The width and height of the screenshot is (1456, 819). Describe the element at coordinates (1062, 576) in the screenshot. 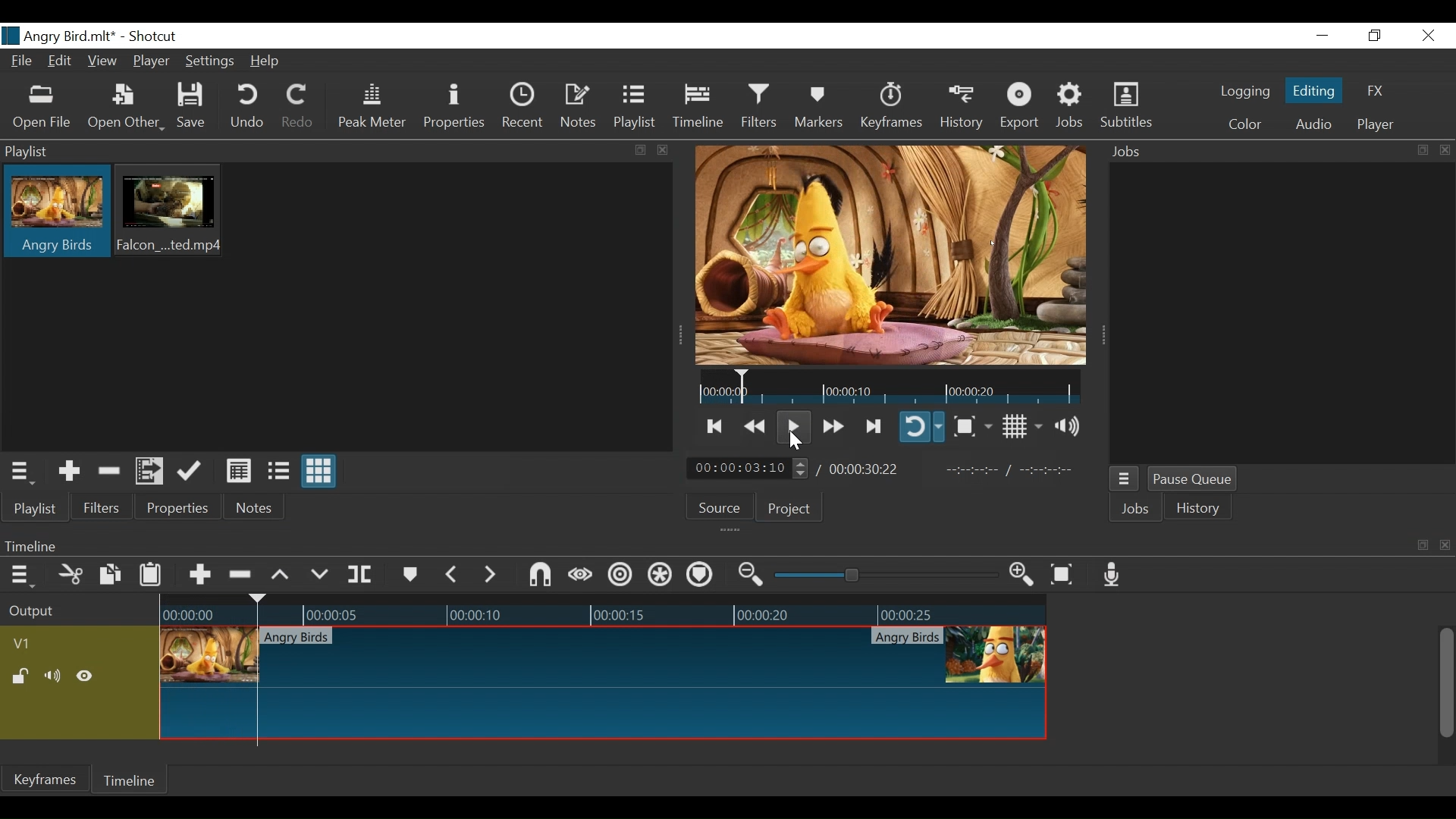

I see `Zoom timeline to fit` at that location.